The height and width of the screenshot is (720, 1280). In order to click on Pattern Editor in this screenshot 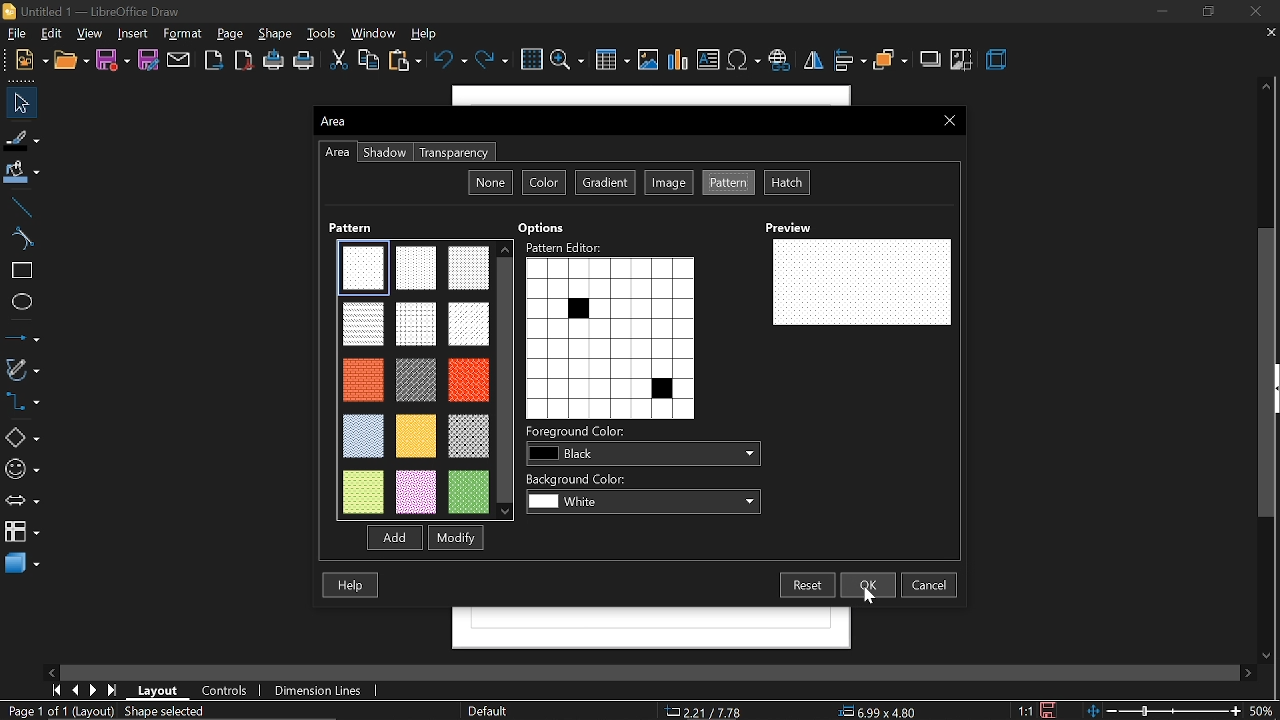, I will do `click(564, 246)`.